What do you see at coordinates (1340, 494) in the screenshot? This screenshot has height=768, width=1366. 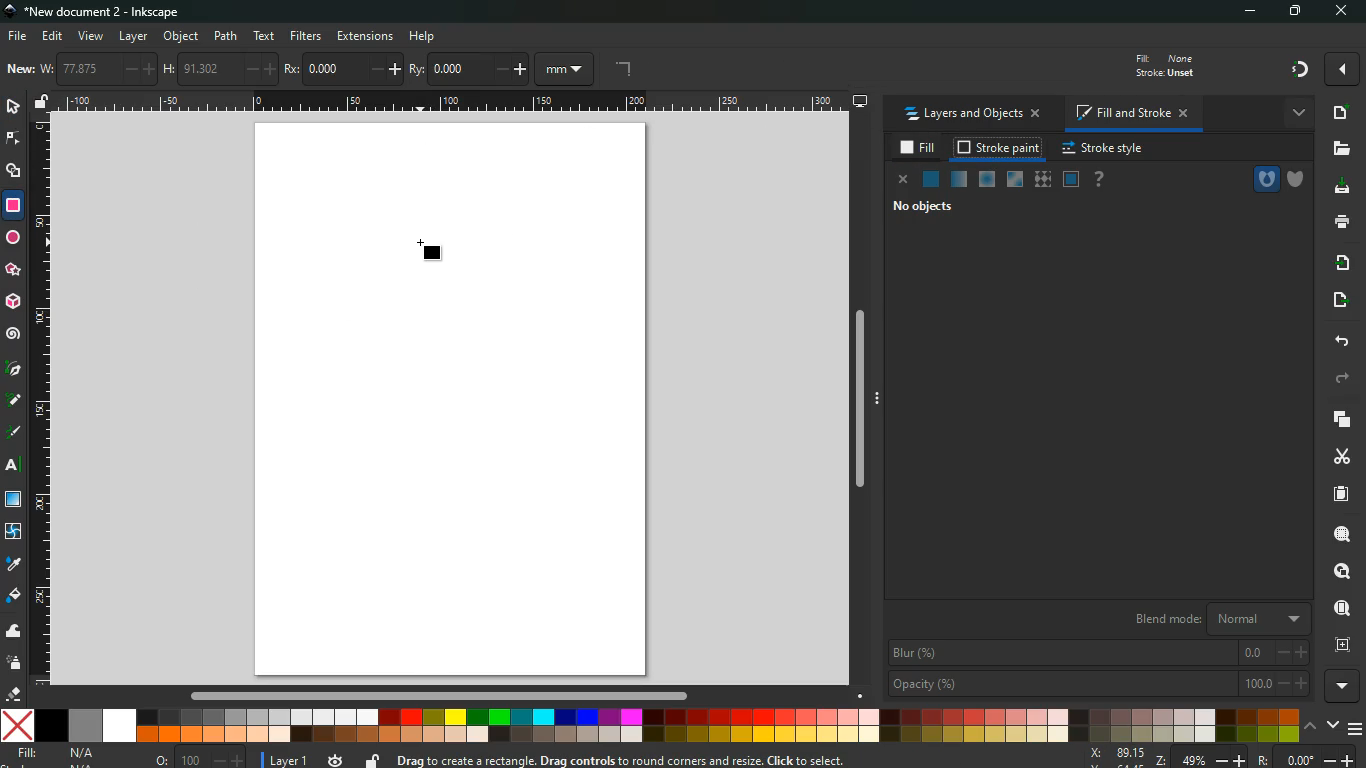 I see `paper` at bounding box center [1340, 494].